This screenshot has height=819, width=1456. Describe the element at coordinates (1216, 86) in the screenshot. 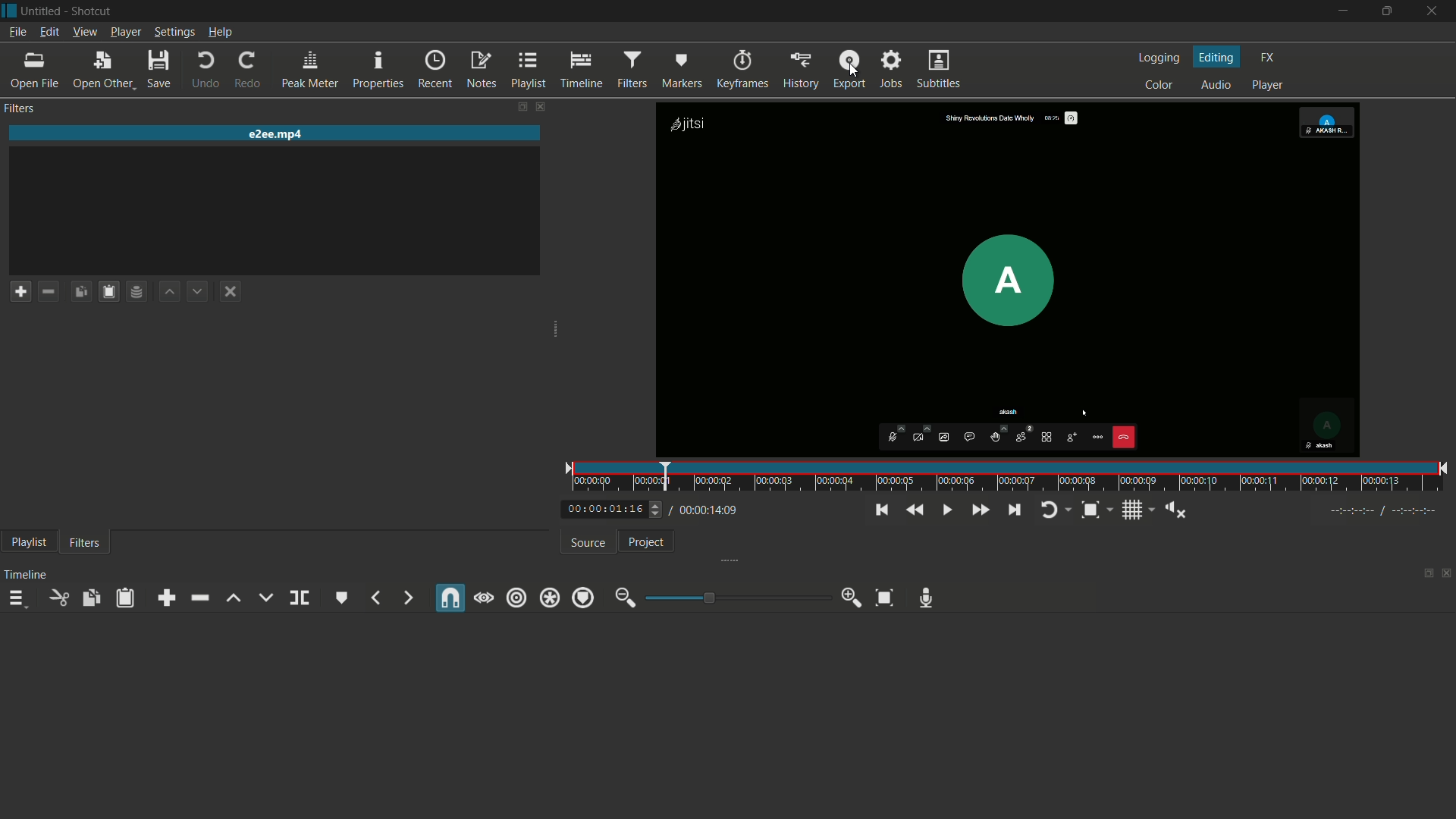

I see `audio` at that location.